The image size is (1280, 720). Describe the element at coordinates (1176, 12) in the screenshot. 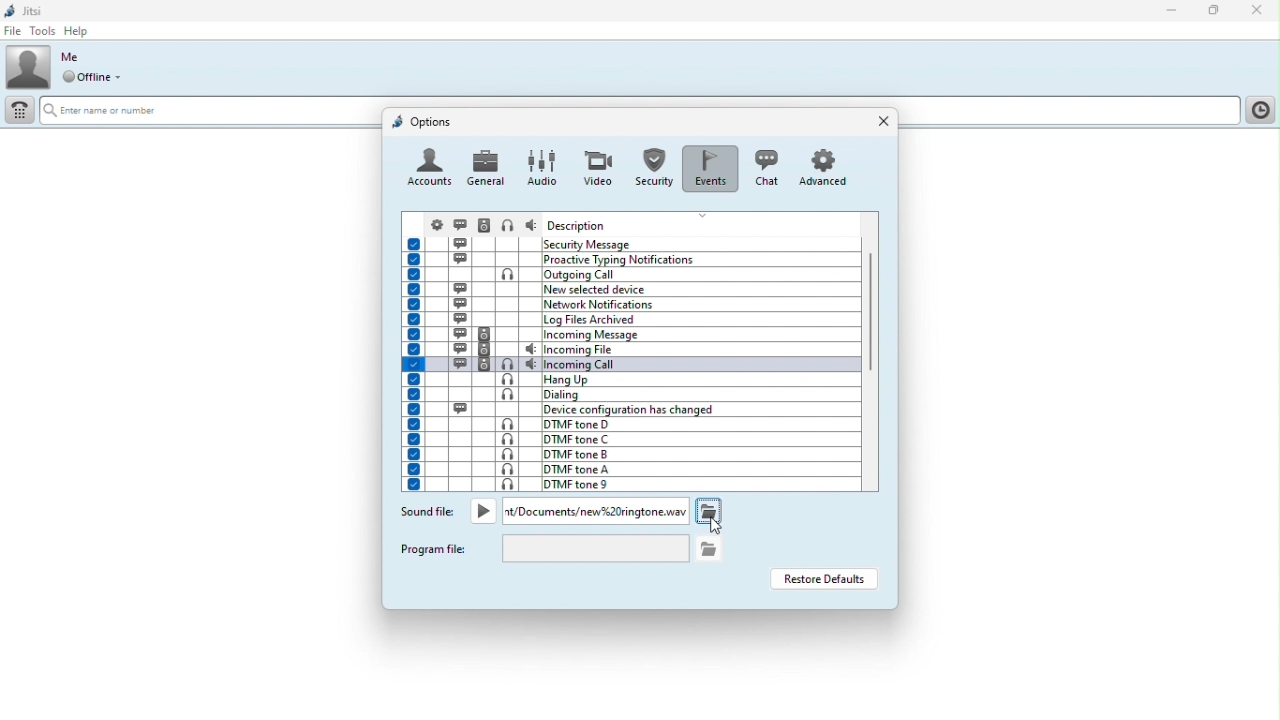

I see `Minimise` at that location.